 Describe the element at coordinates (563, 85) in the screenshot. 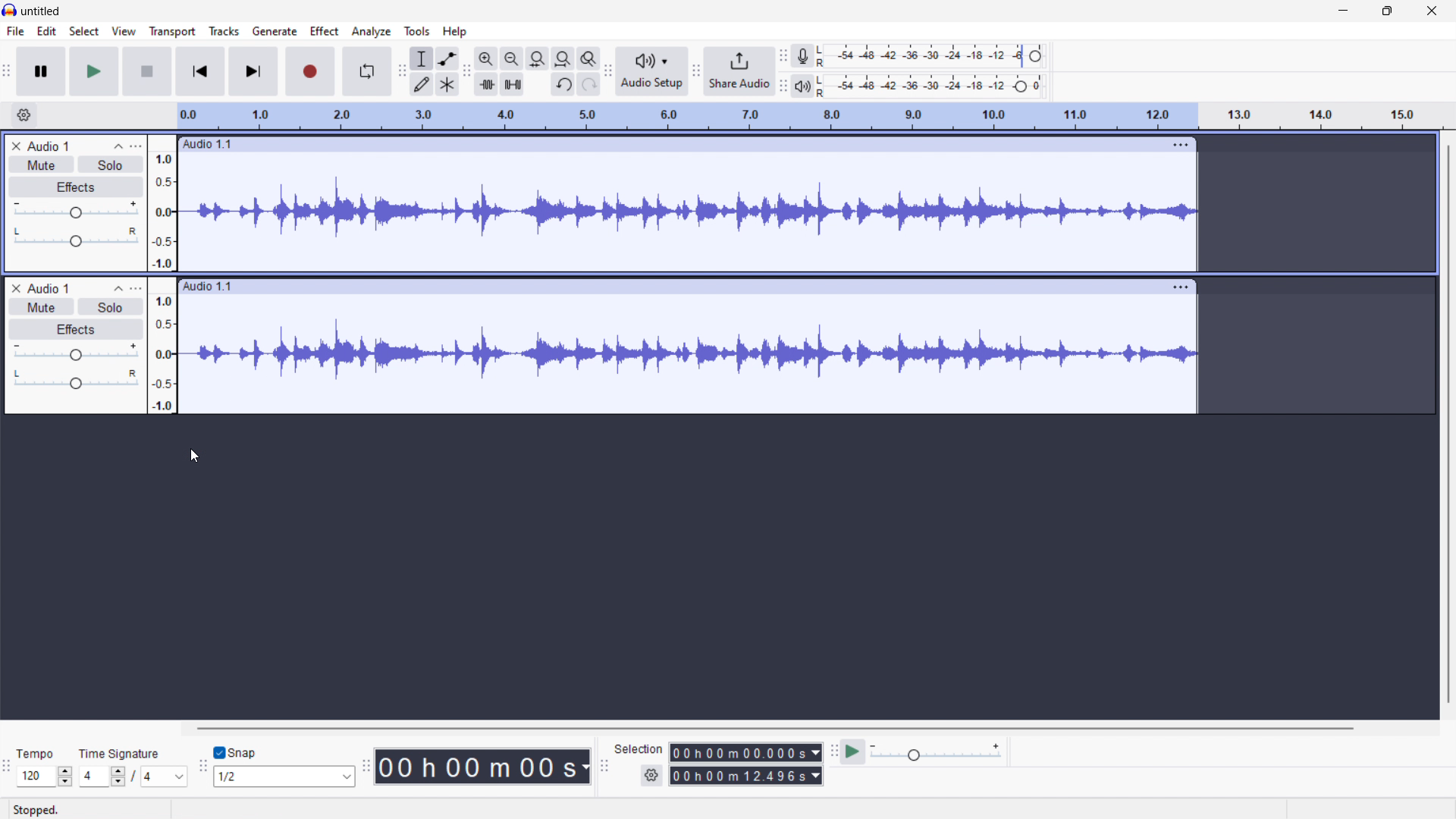

I see `undo` at that location.